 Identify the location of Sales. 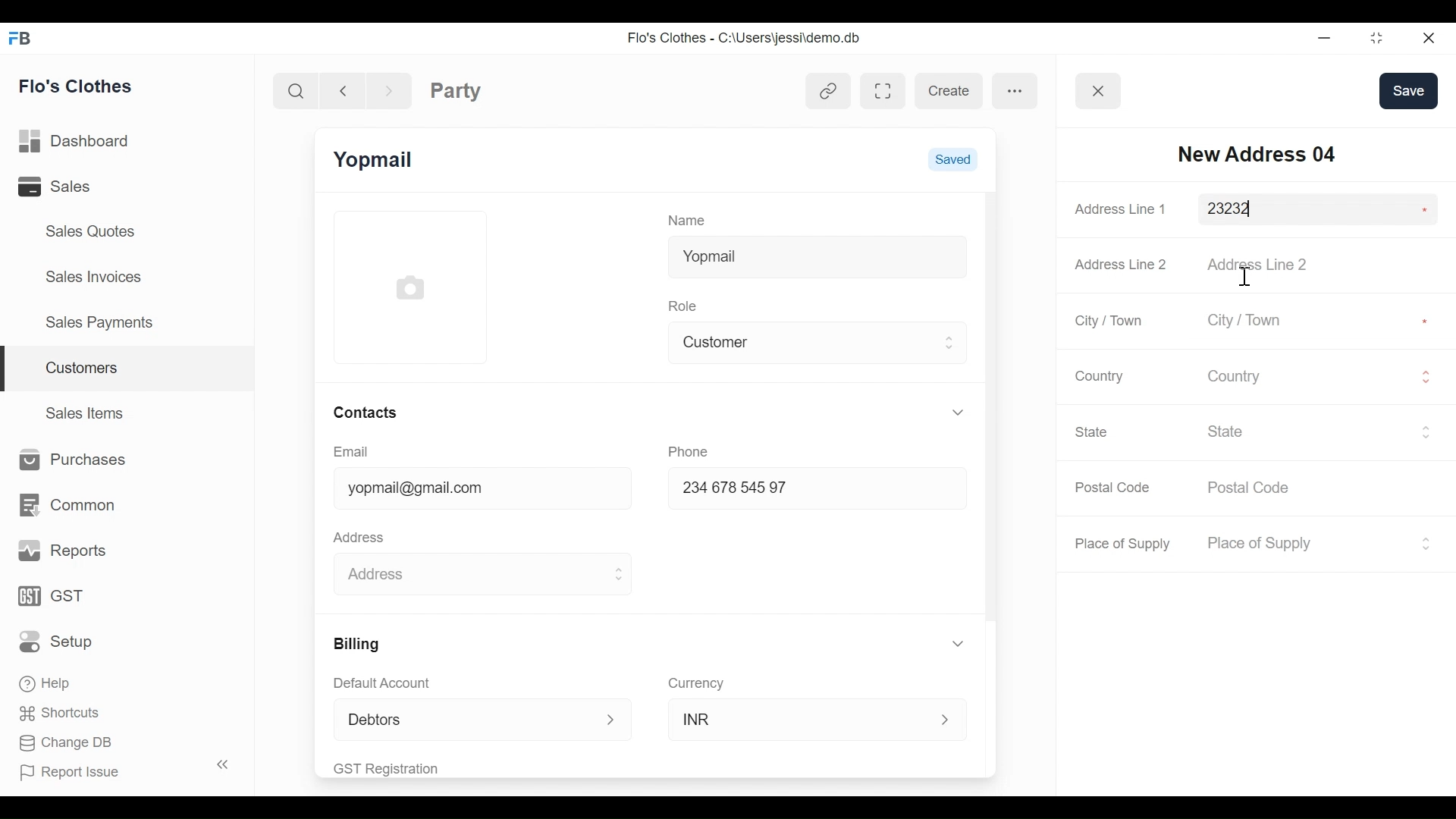
(75, 186).